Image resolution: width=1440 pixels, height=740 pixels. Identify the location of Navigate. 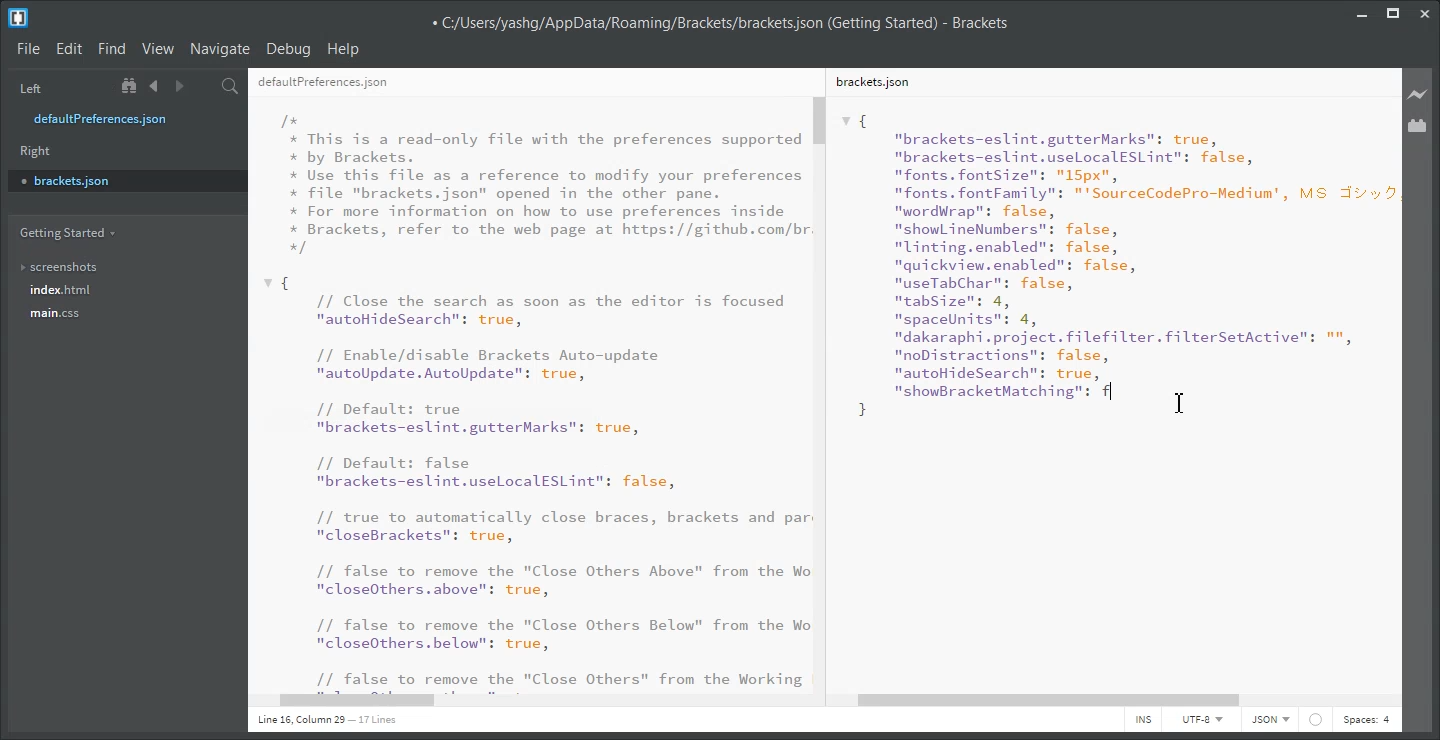
(221, 49).